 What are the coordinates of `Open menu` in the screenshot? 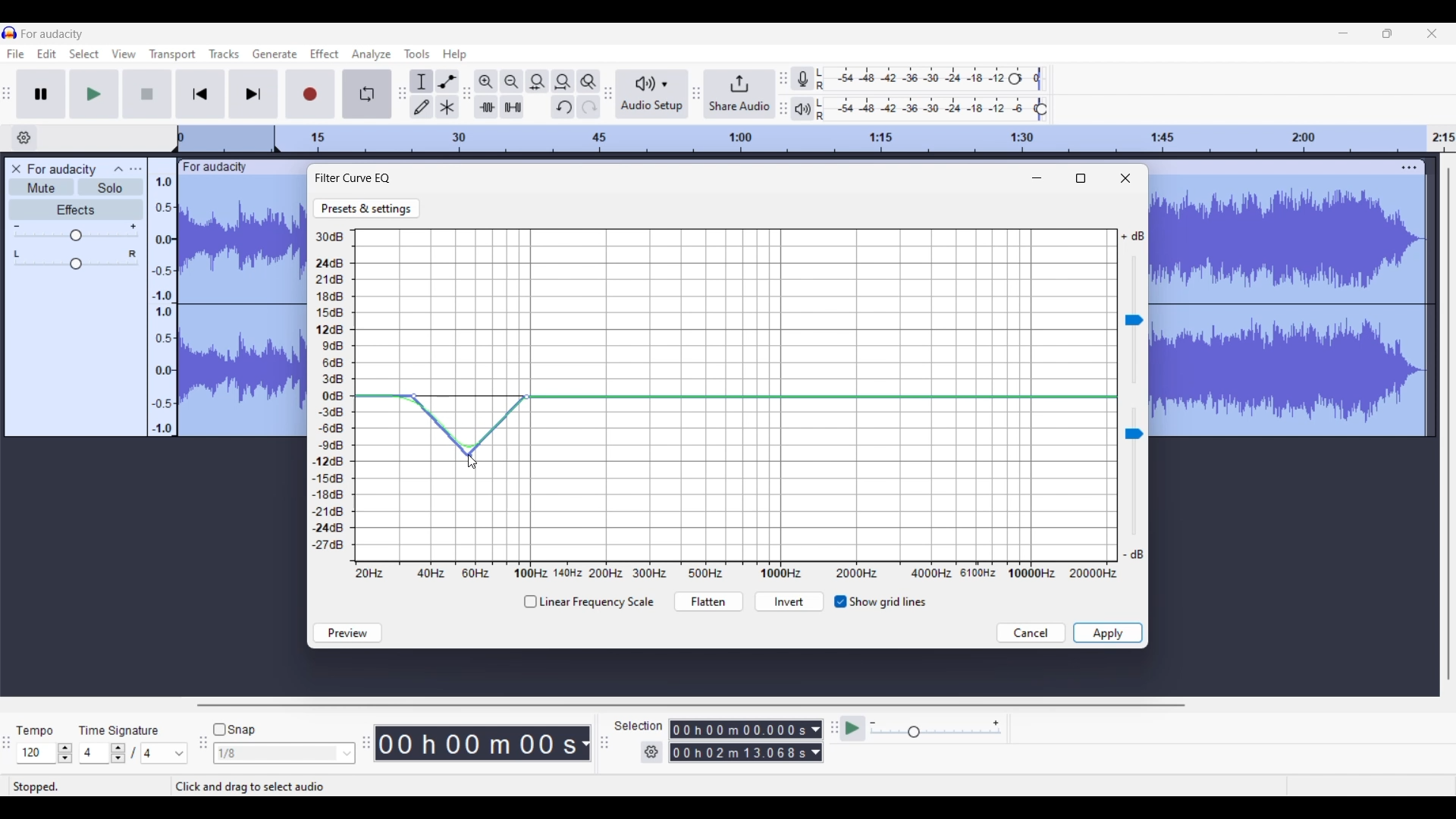 It's located at (135, 168).